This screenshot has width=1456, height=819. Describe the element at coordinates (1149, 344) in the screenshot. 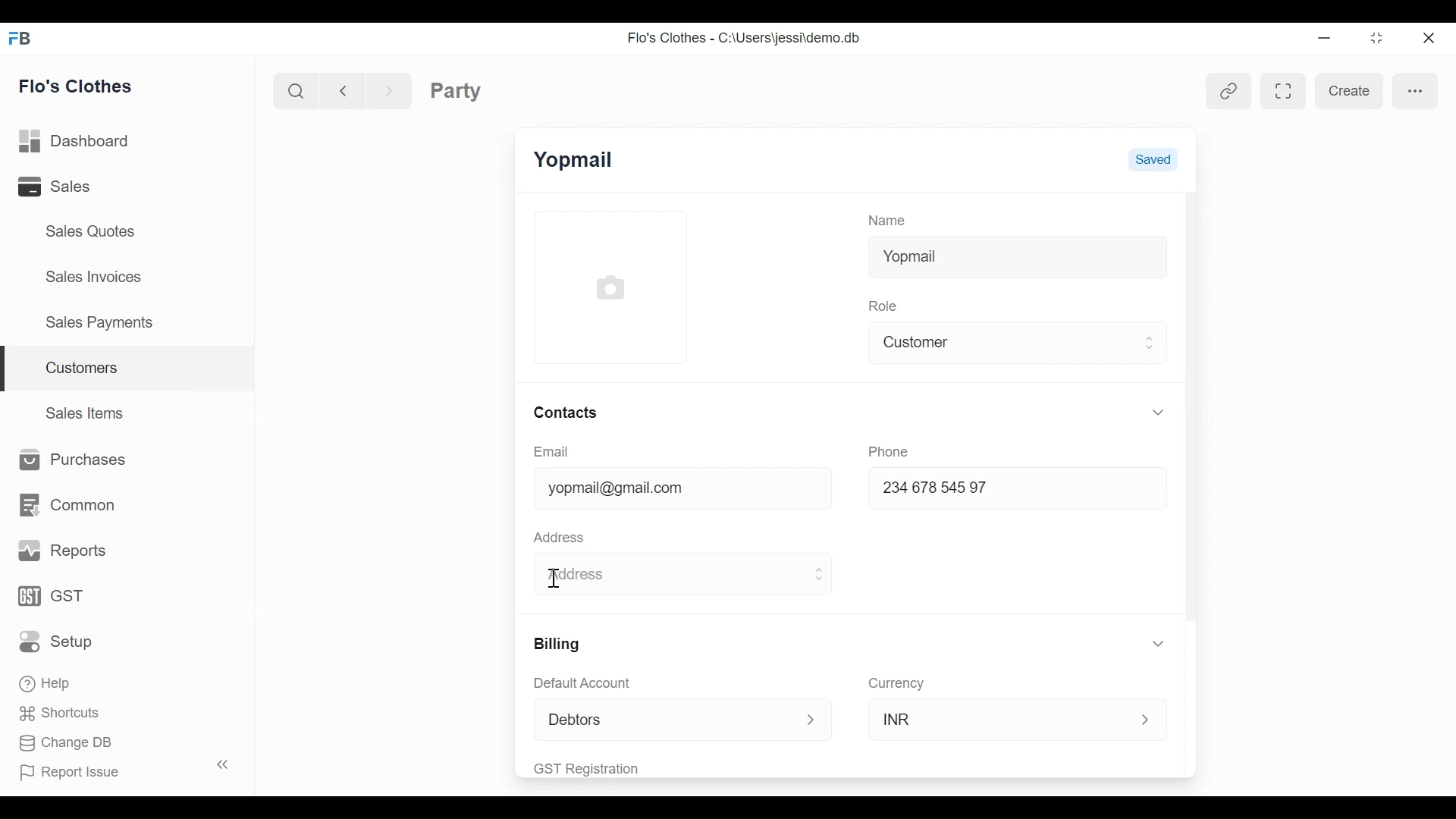

I see `Expand` at that location.